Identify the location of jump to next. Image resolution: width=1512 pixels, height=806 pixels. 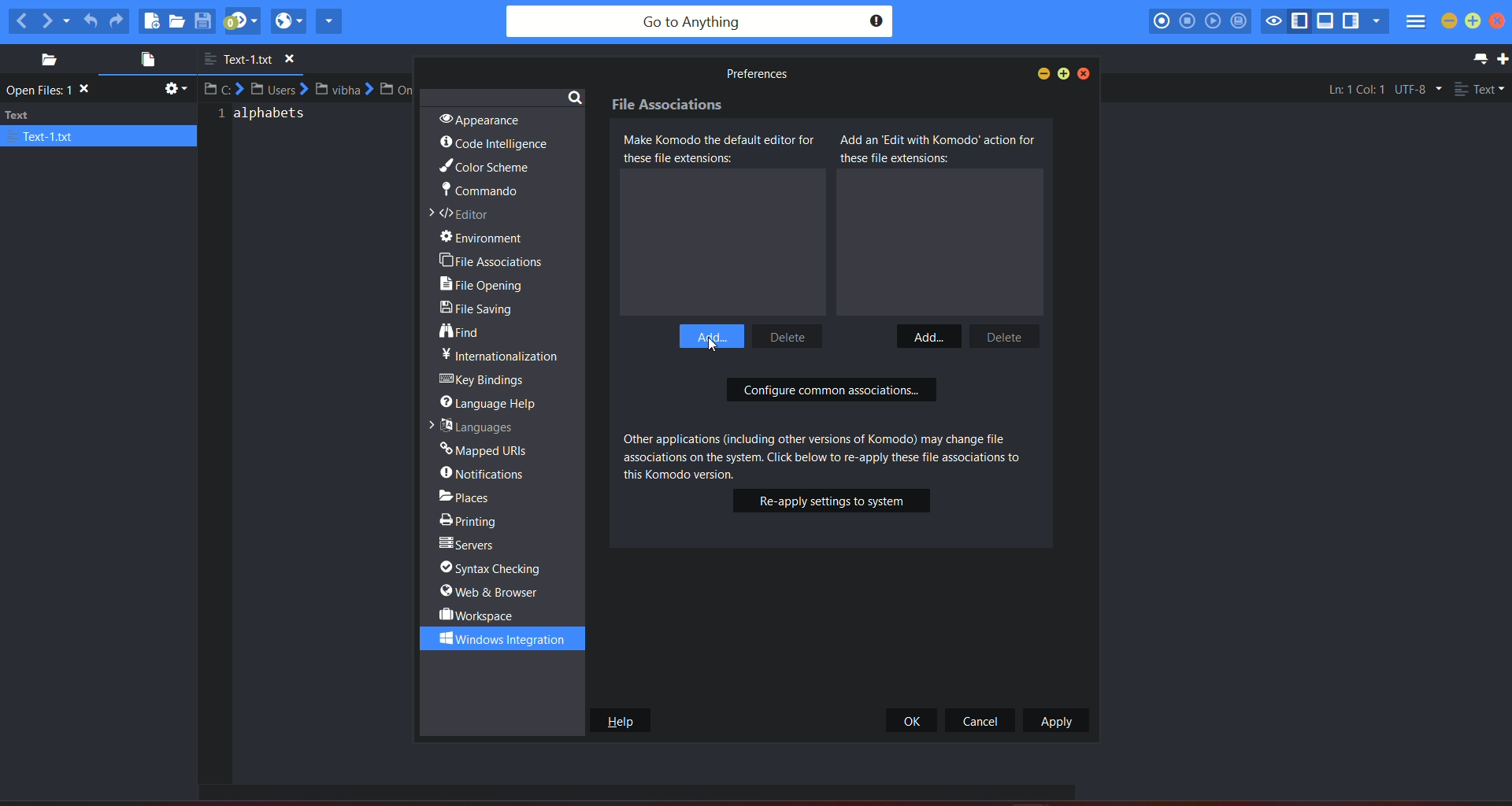
(242, 21).